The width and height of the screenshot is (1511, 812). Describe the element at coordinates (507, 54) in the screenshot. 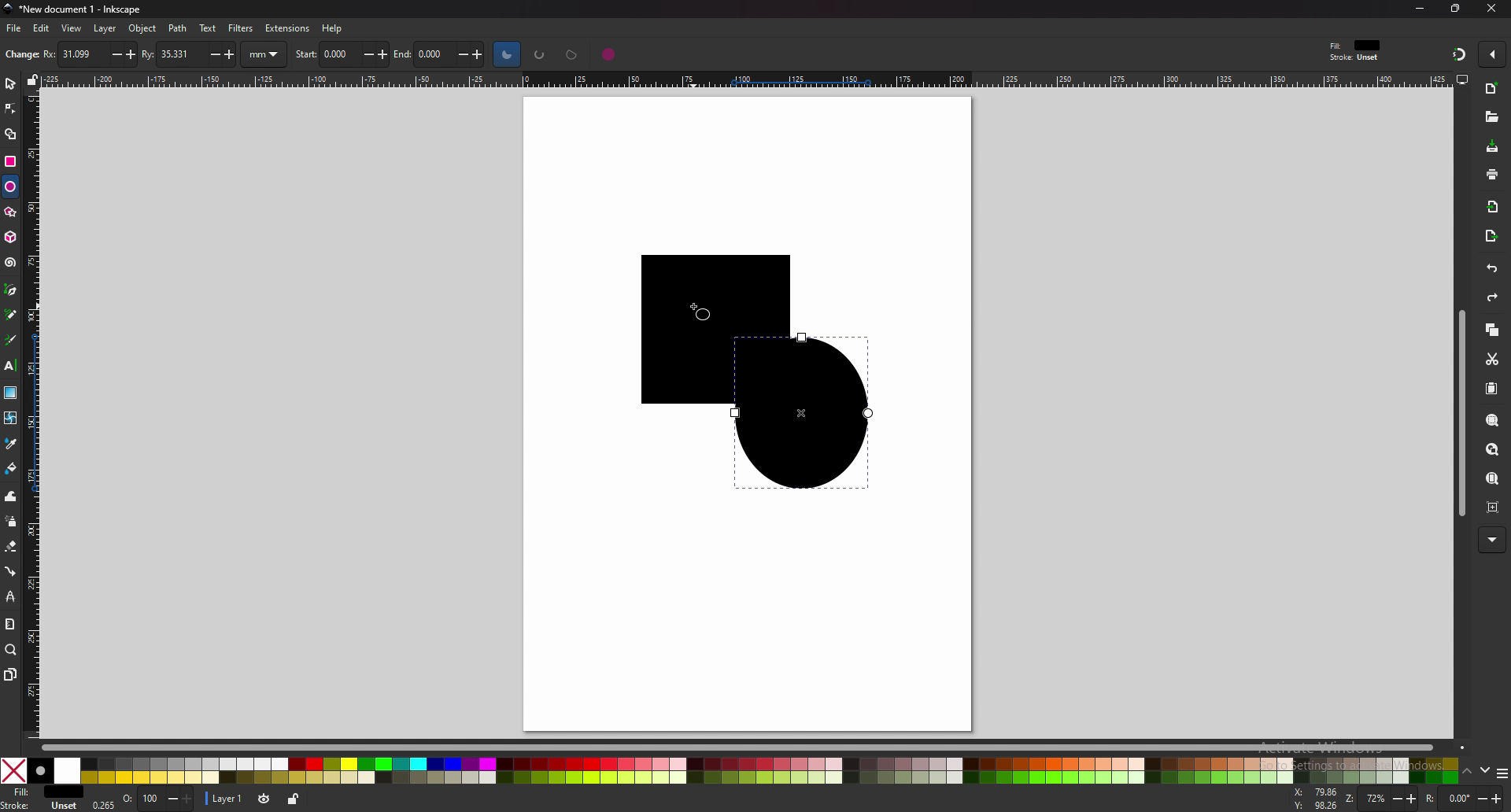

I see `slice` at that location.